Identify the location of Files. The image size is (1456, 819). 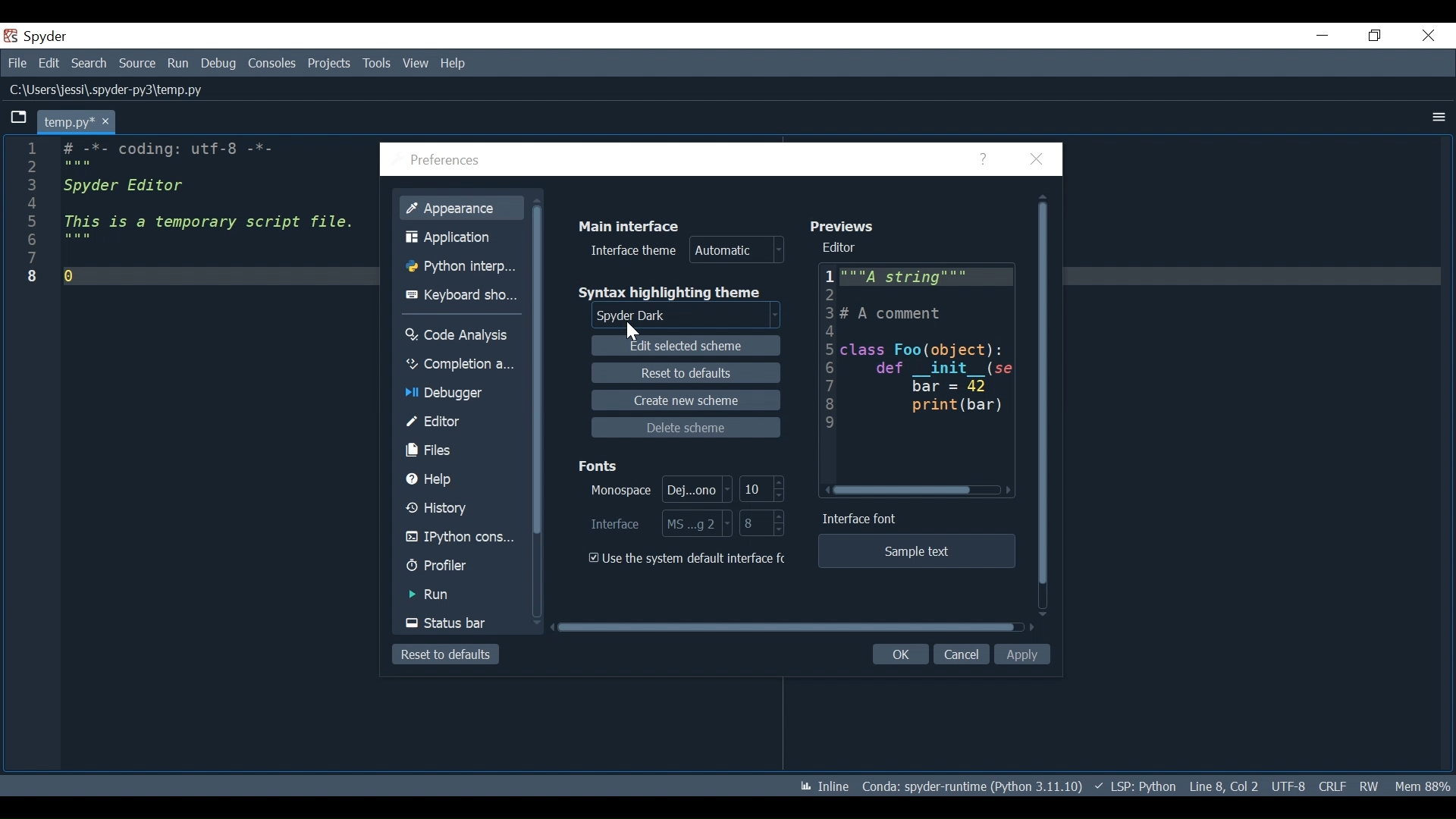
(463, 450).